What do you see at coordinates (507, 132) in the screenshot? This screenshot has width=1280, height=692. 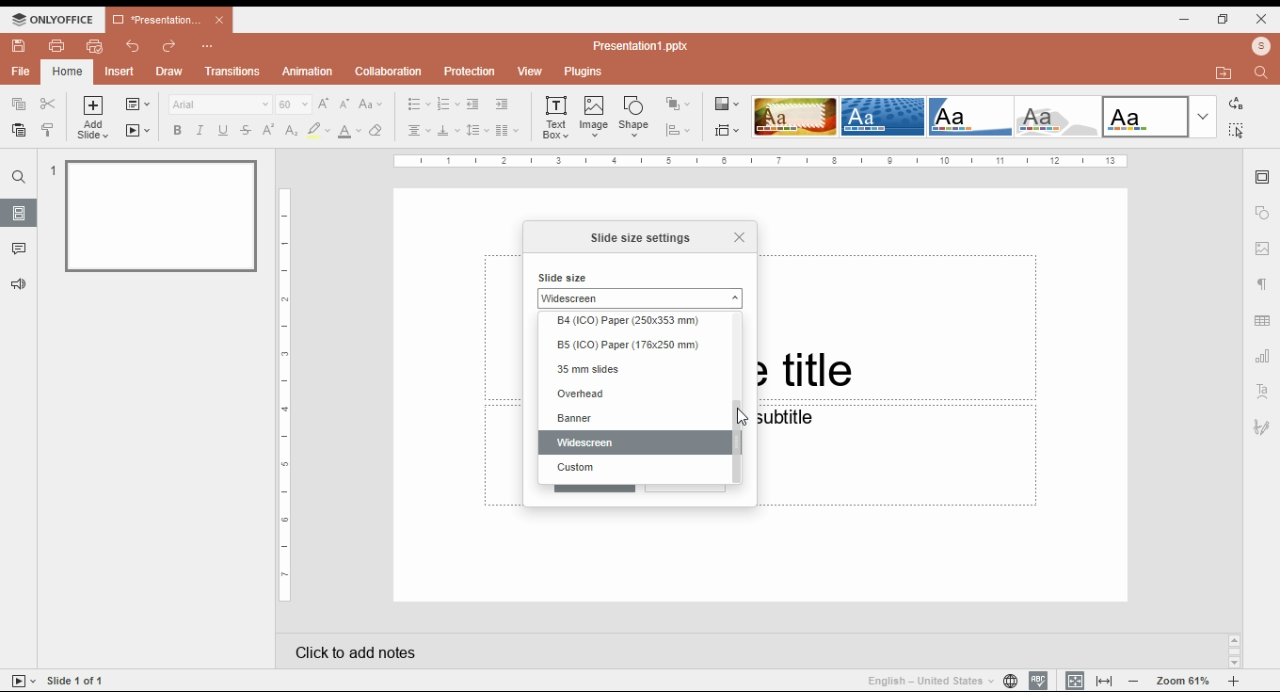 I see `insert columns` at bounding box center [507, 132].